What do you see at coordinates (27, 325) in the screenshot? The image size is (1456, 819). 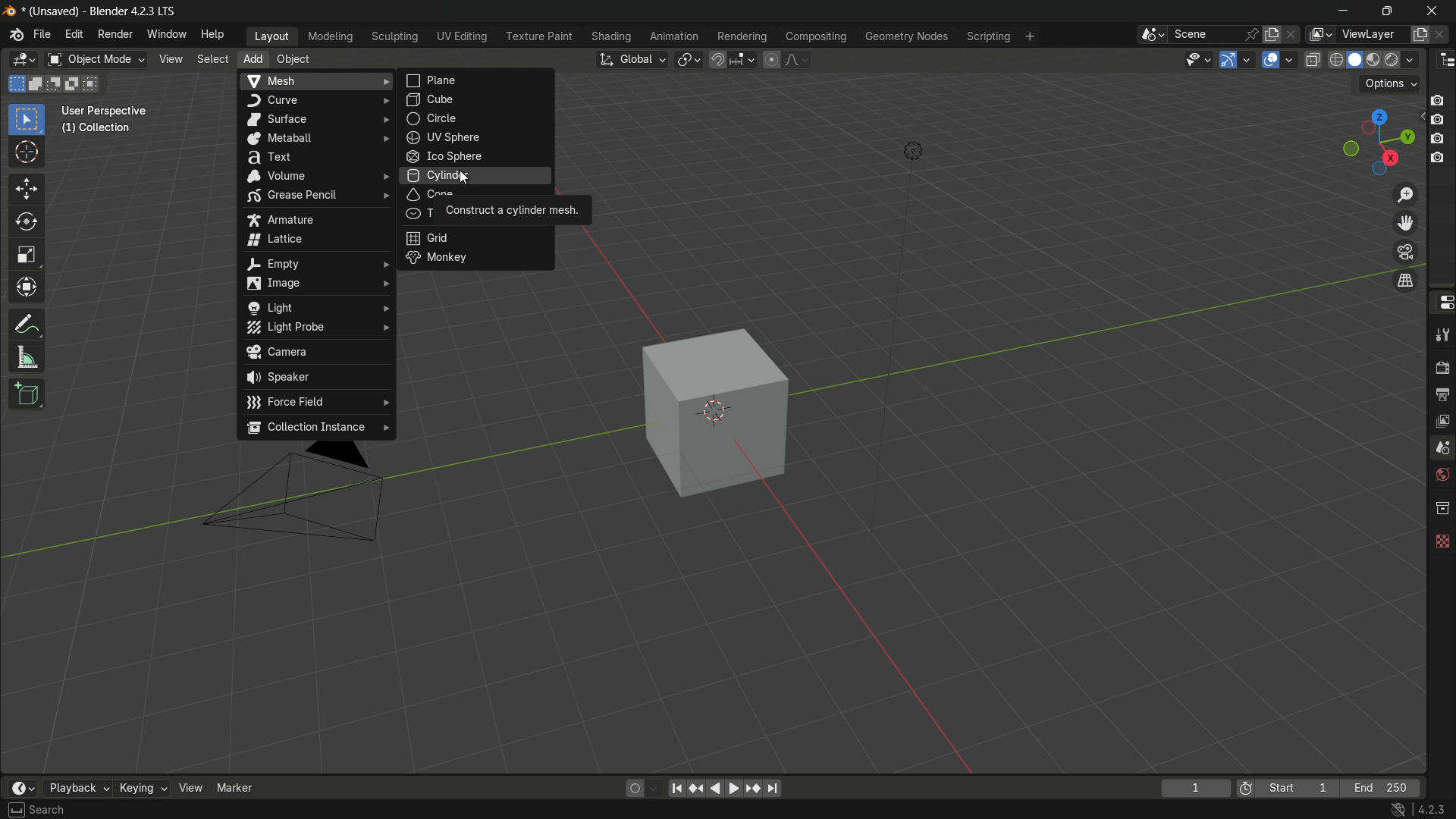 I see `annotate` at bounding box center [27, 325].